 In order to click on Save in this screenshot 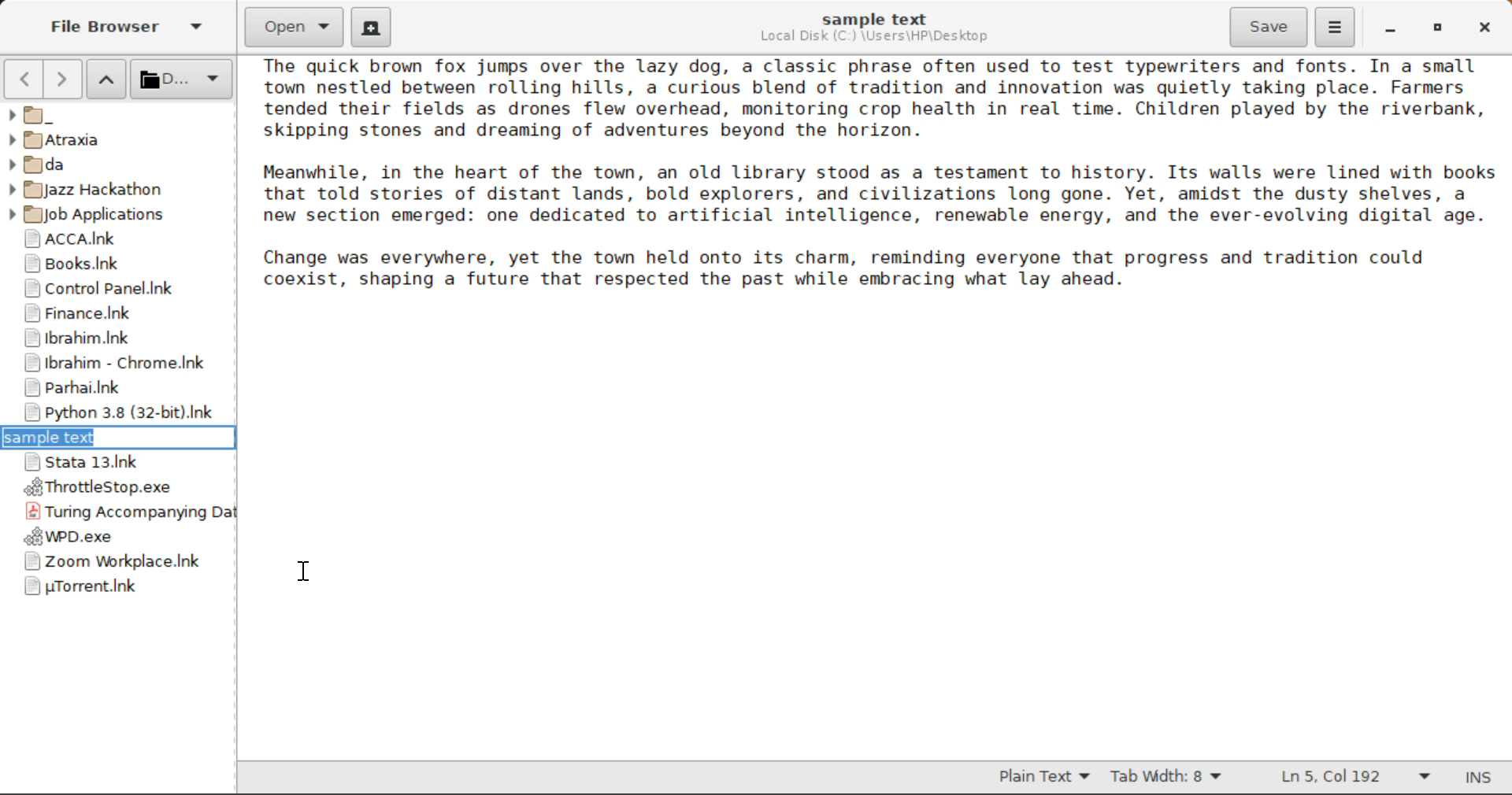, I will do `click(1270, 28)`.